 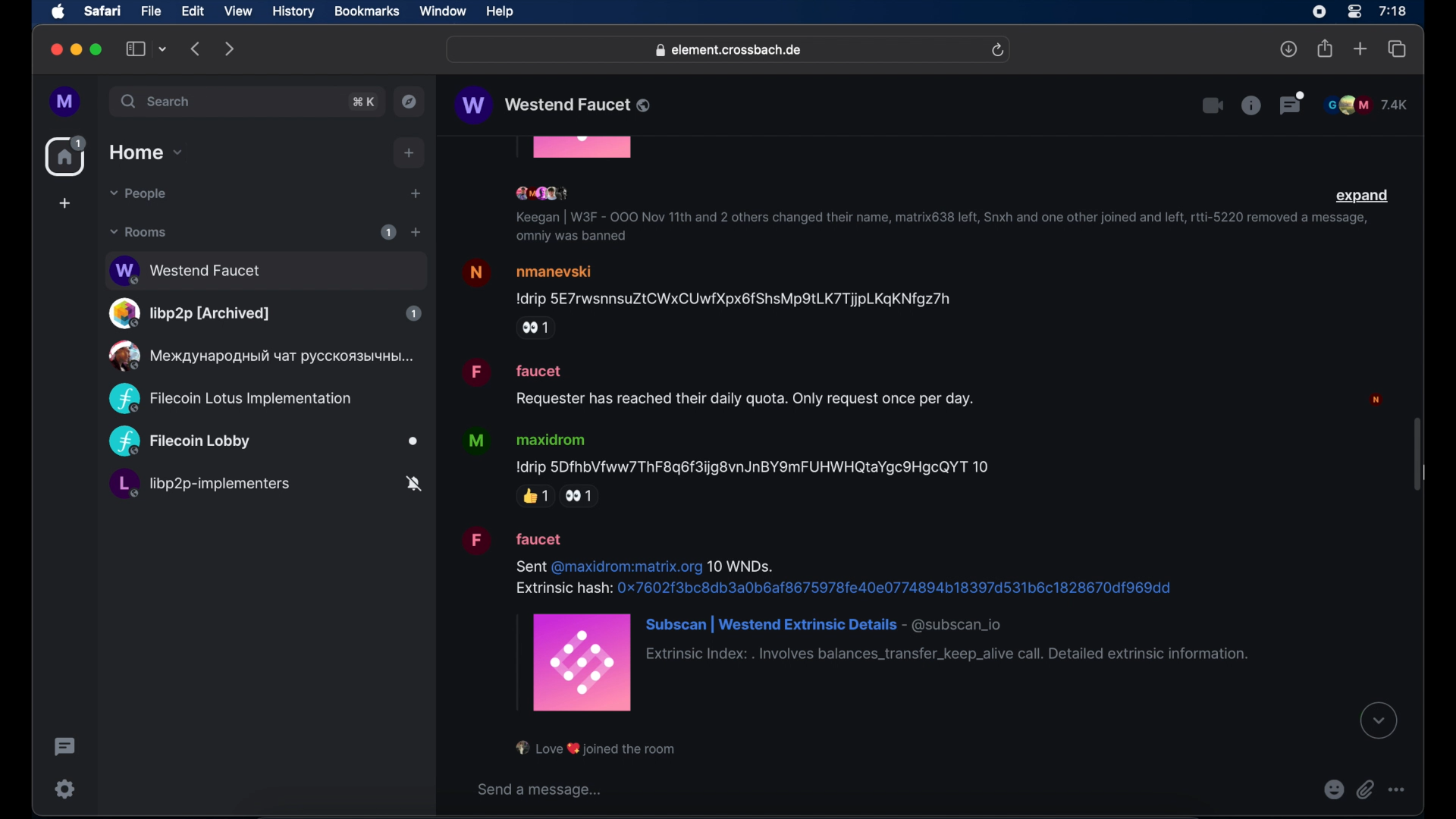 What do you see at coordinates (443, 11) in the screenshot?
I see `window` at bounding box center [443, 11].